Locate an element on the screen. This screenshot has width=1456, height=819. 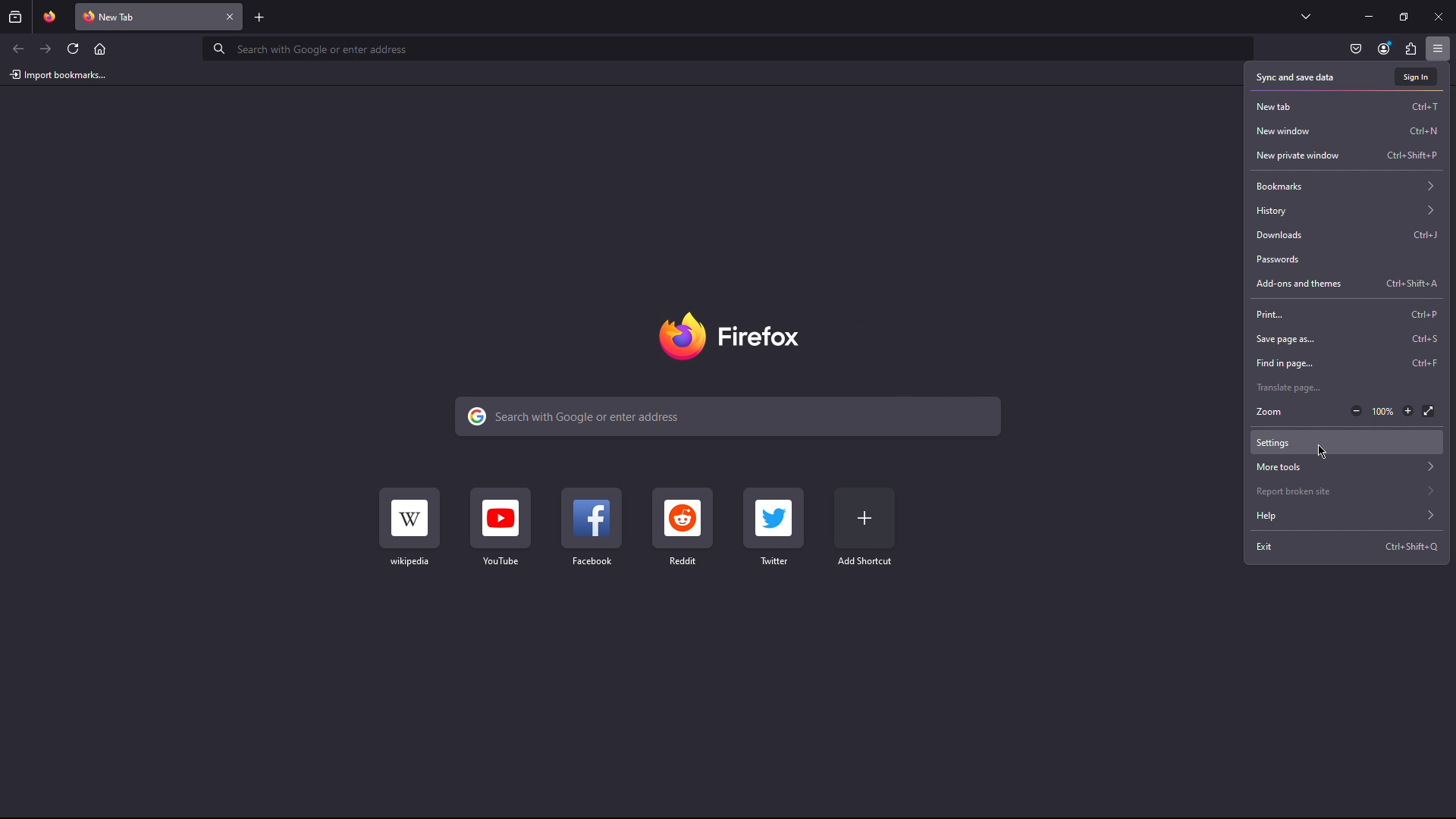
Close is located at coordinates (1438, 16).